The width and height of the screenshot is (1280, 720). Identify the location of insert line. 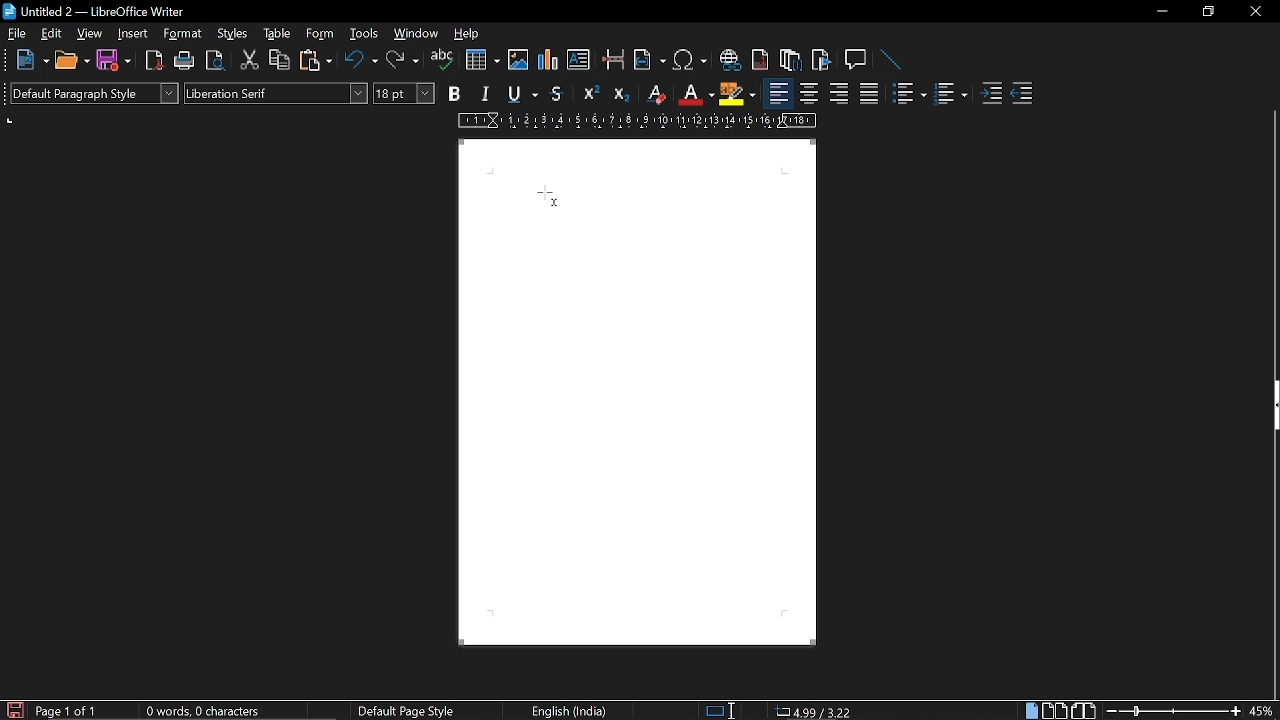
(886, 59).